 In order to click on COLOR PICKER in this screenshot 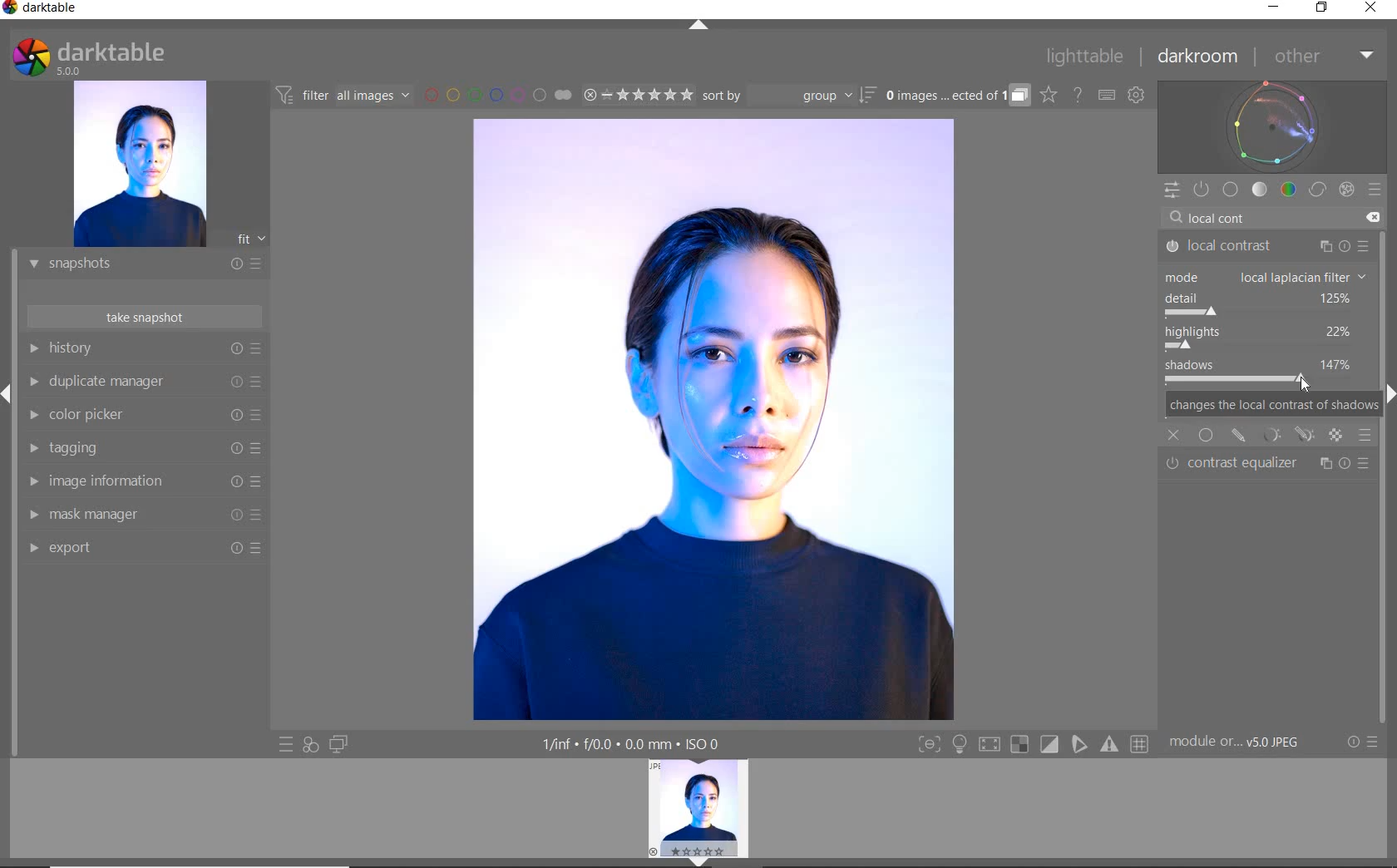, I will do `click(141, 416)`.